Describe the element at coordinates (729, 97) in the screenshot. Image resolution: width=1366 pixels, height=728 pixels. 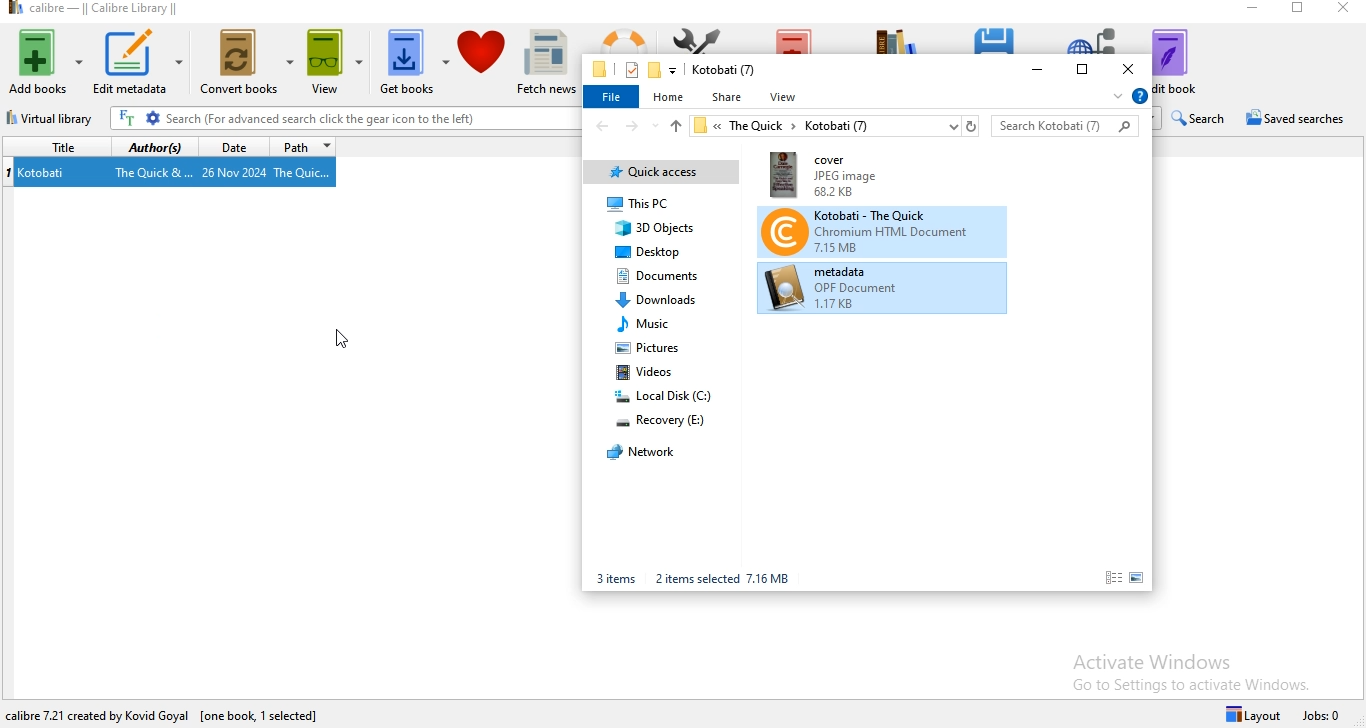
I see `share` at that location.